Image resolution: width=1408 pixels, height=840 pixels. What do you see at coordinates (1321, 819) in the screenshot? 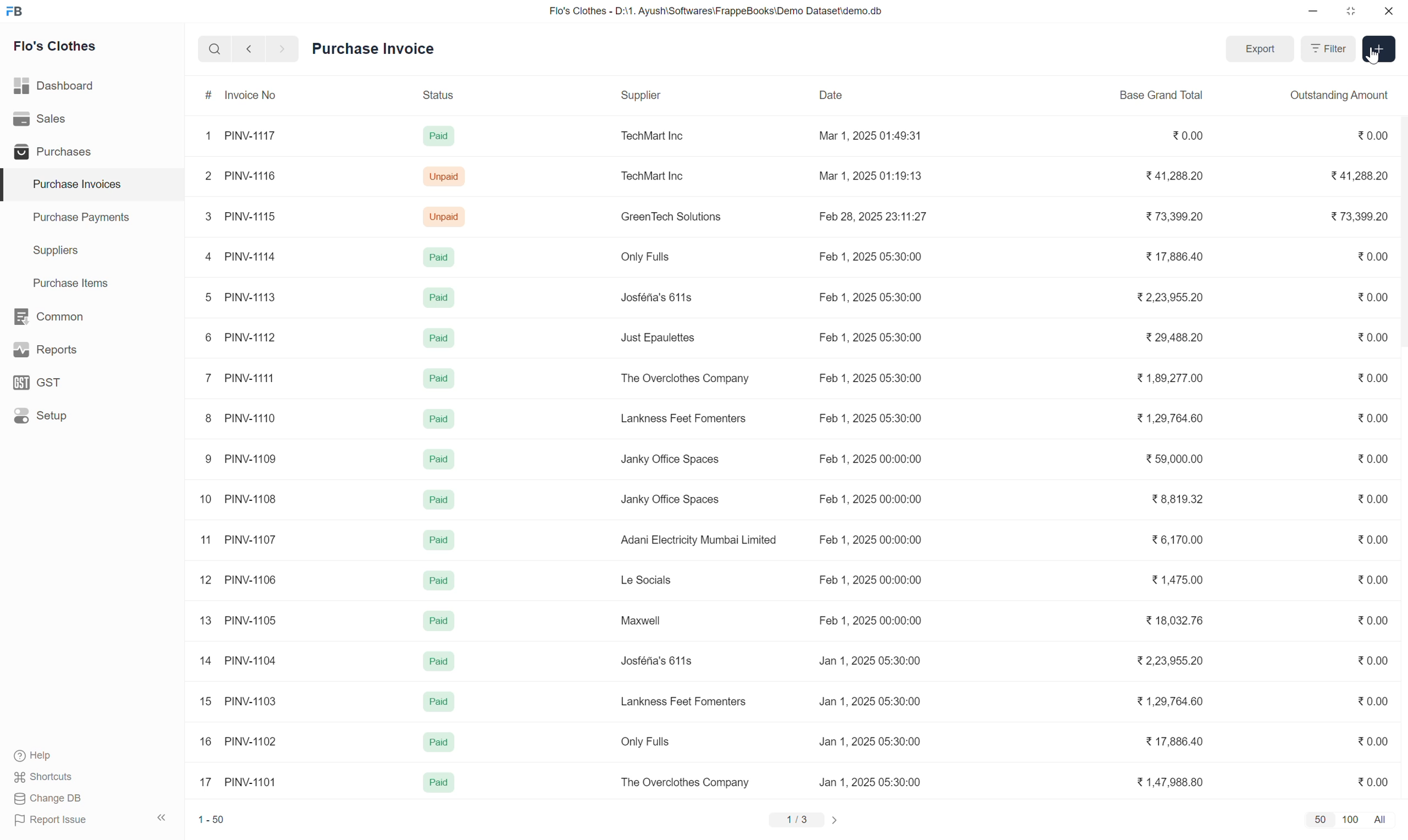
I see `50` at bounding box center [1321, 819].